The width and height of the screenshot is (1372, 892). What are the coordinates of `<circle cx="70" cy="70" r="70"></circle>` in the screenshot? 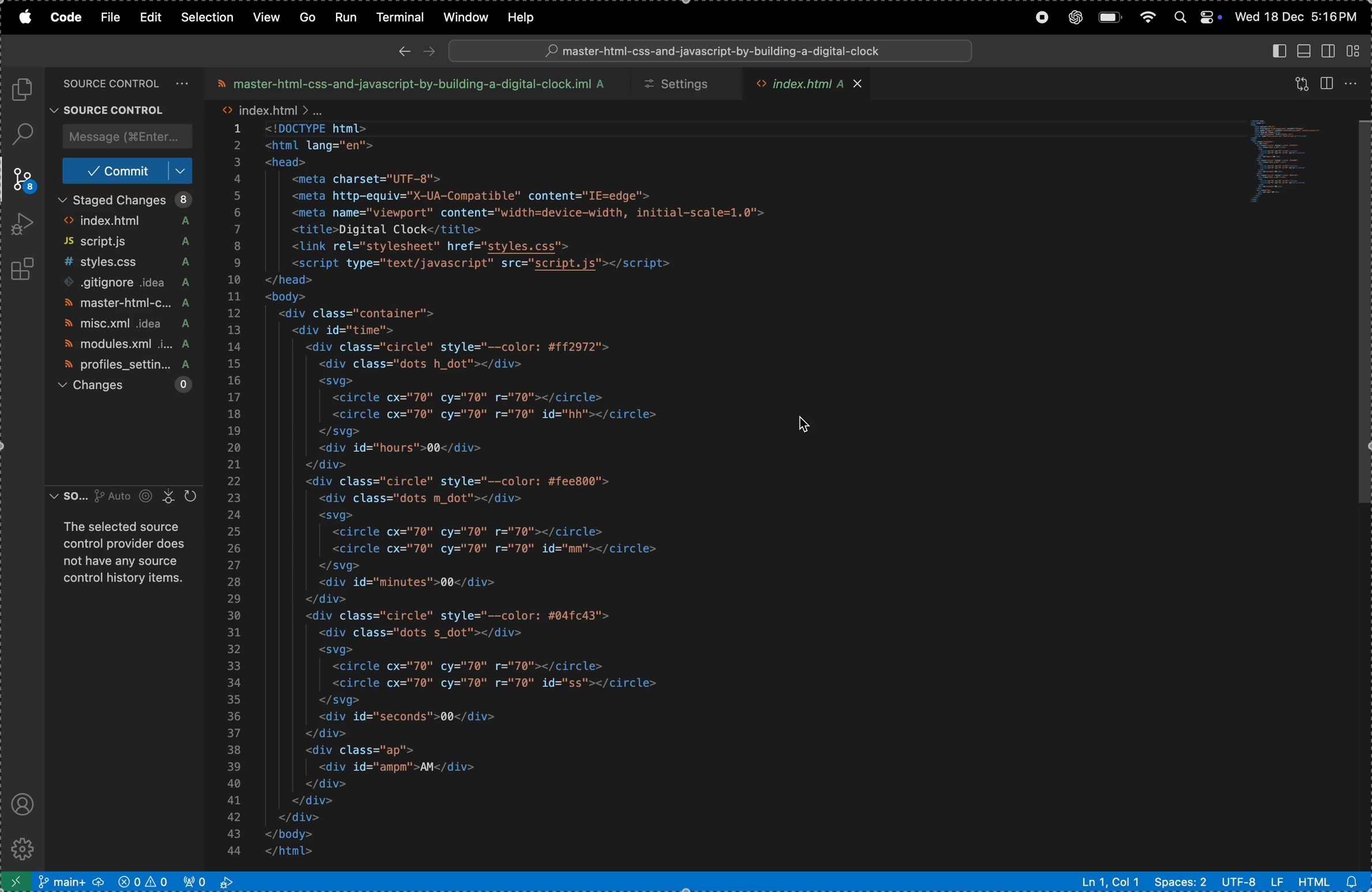 It's located at (470, 667).